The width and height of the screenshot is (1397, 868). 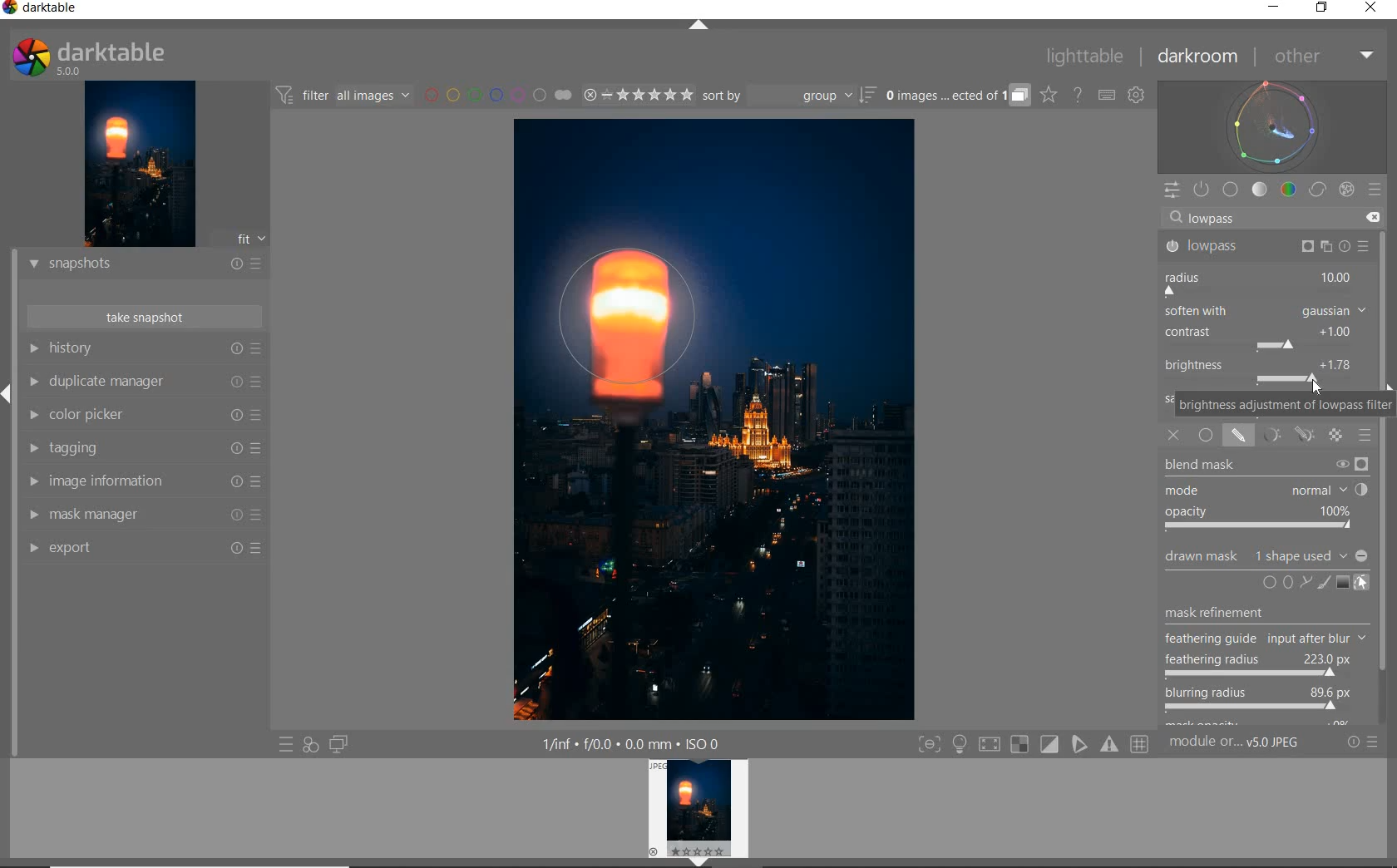 What do you see at coordinates (1275, 126) in the screenshot?
I see `WAVEFORM` at bounding box center [1275, 126].